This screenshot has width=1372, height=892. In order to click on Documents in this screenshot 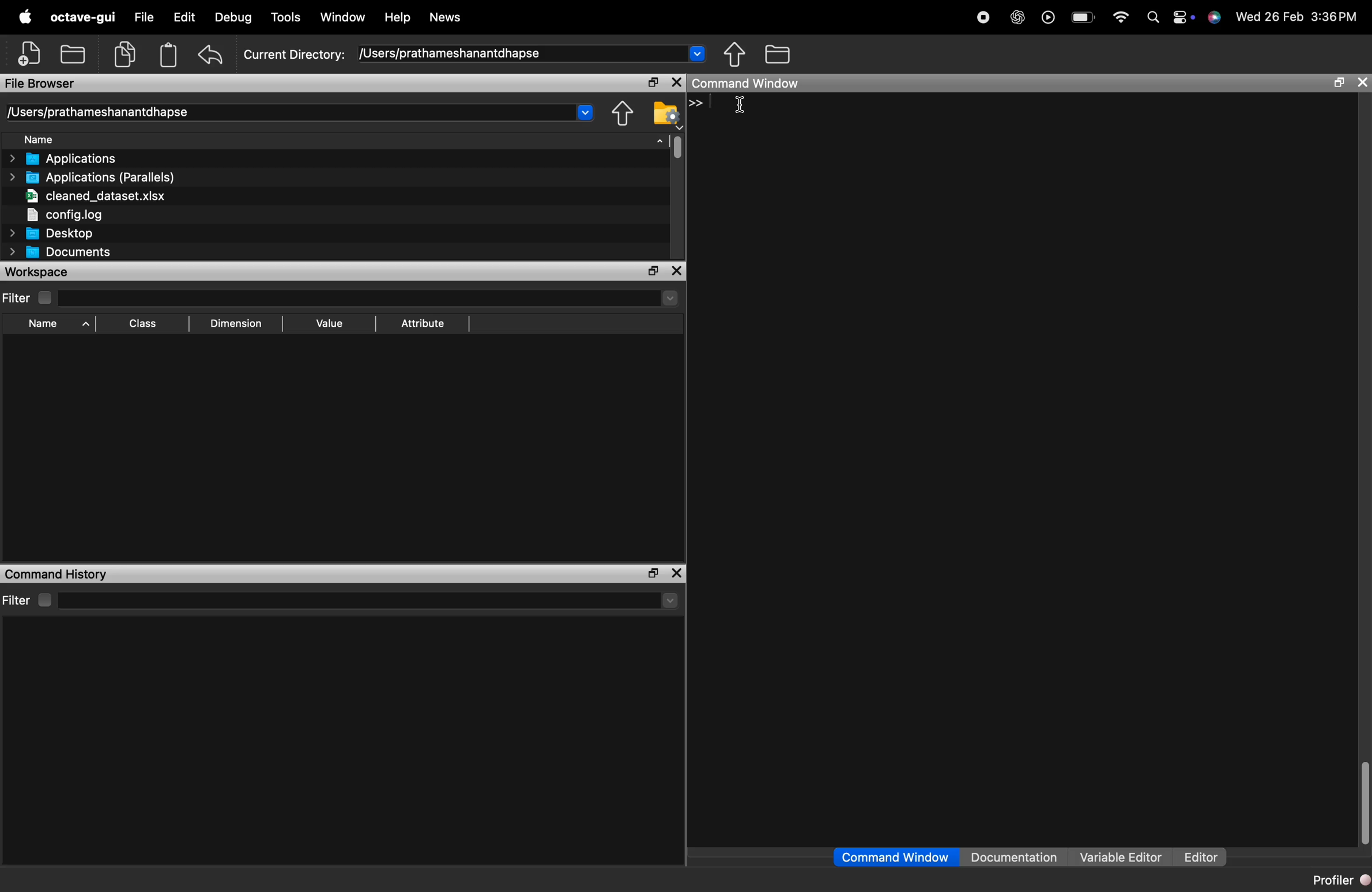, I will do `click(58, 252)`.